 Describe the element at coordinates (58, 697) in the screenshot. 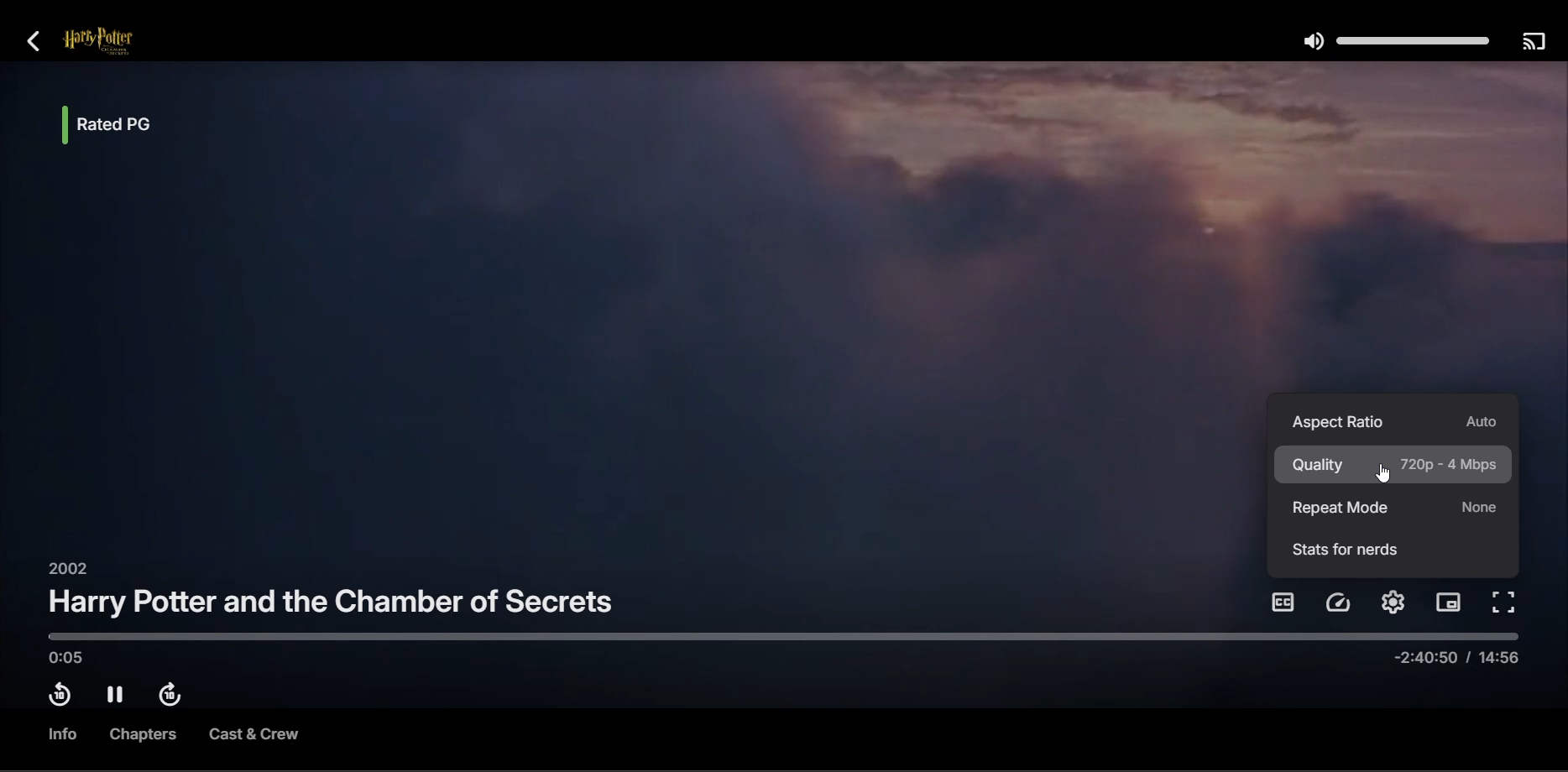

I see `Rewind` at that location.